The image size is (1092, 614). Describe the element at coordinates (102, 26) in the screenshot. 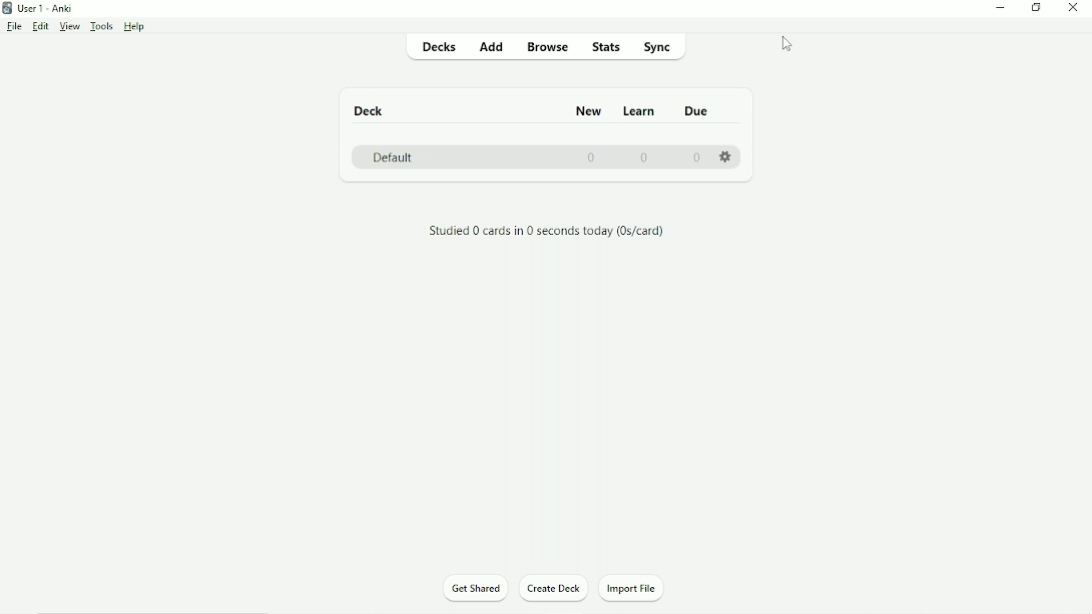

I see `Tools` at that location.